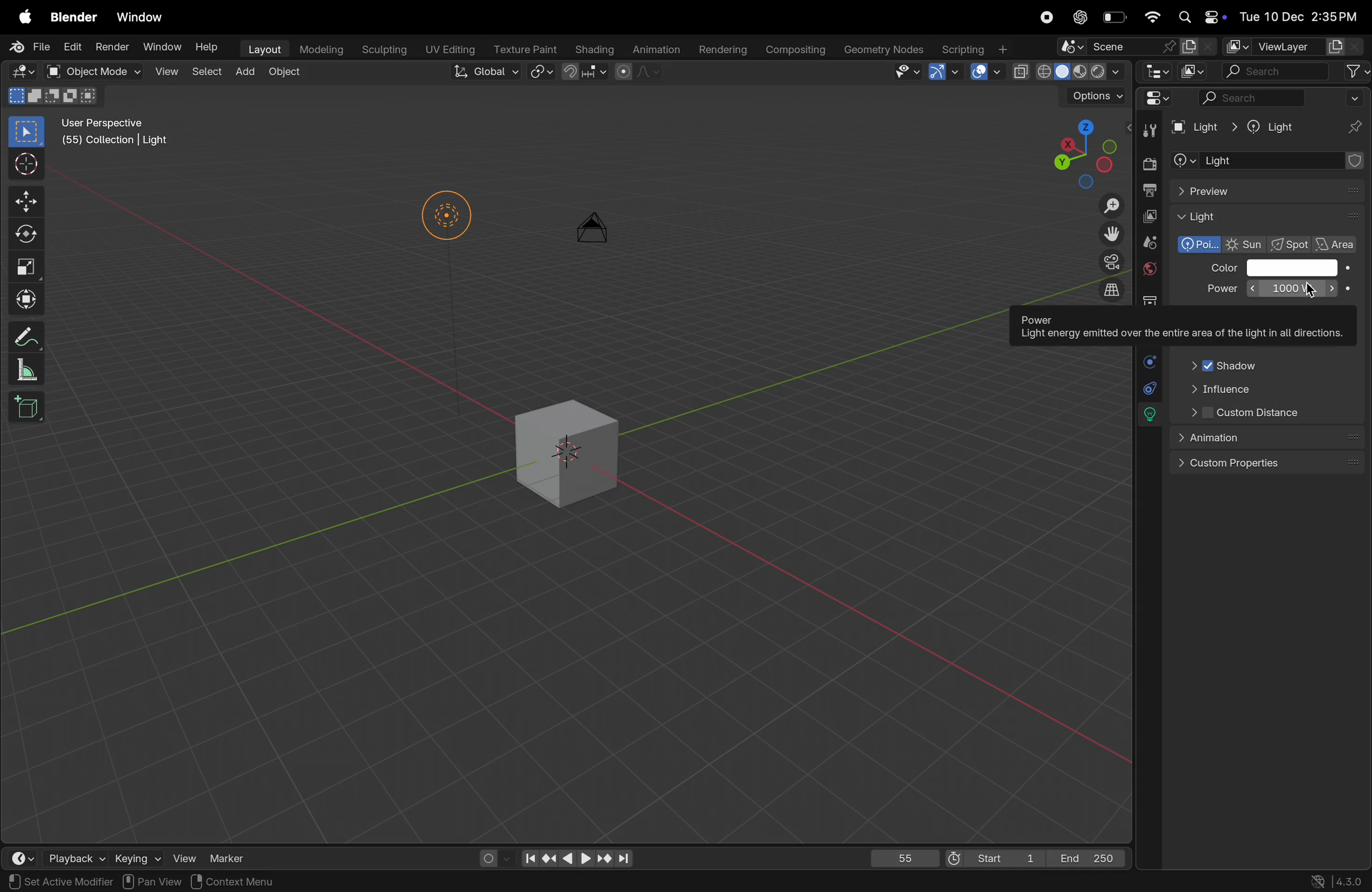 The width and height of the screenshot is (1372, 892). What do you see at coordinates (30, 411) in the screenshot?
I see `cube` at bounding box center [30, 411].